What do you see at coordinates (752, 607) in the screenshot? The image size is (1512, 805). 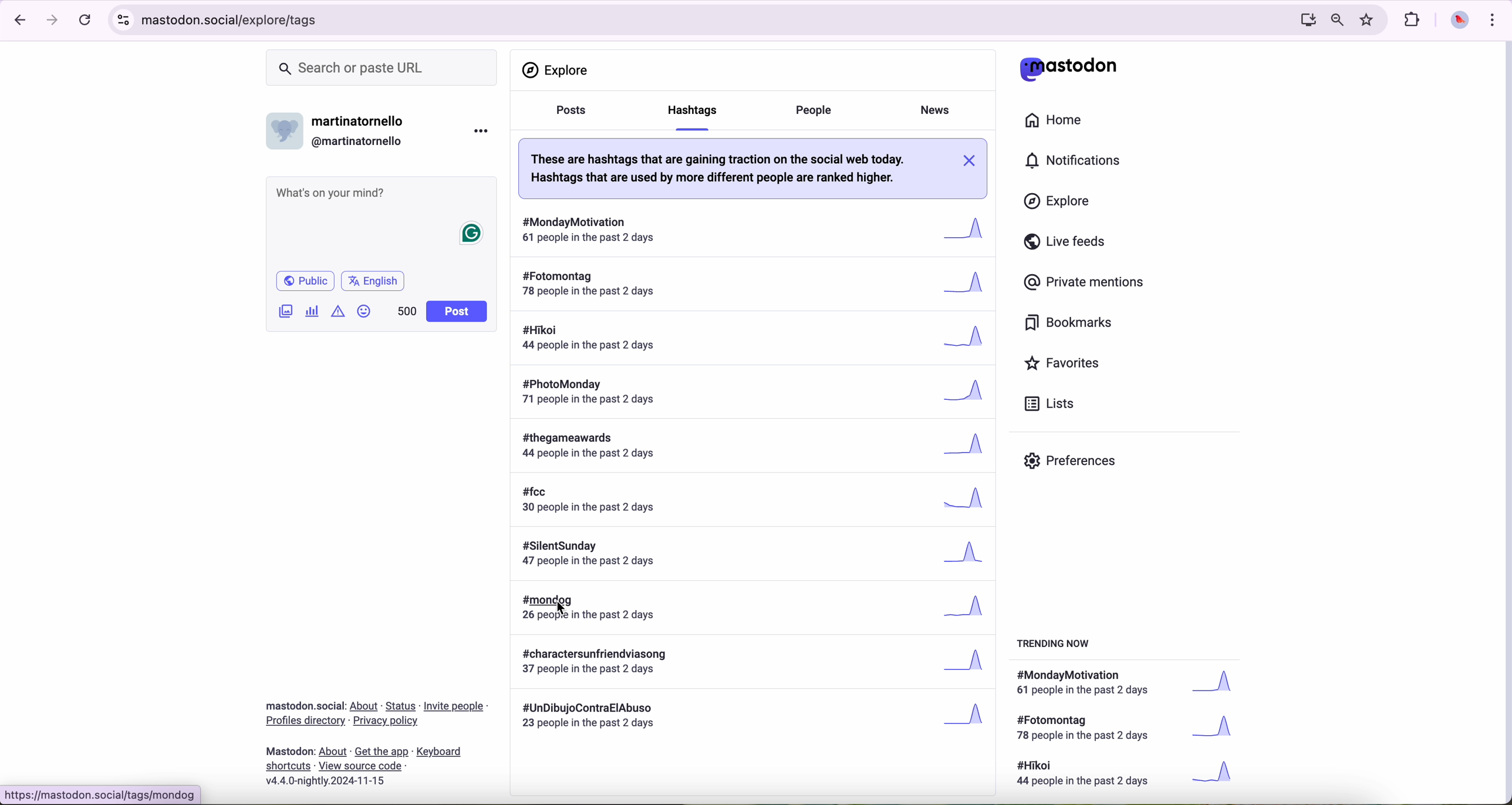 I see `click on #mondog` at bounding box center [752, 607].